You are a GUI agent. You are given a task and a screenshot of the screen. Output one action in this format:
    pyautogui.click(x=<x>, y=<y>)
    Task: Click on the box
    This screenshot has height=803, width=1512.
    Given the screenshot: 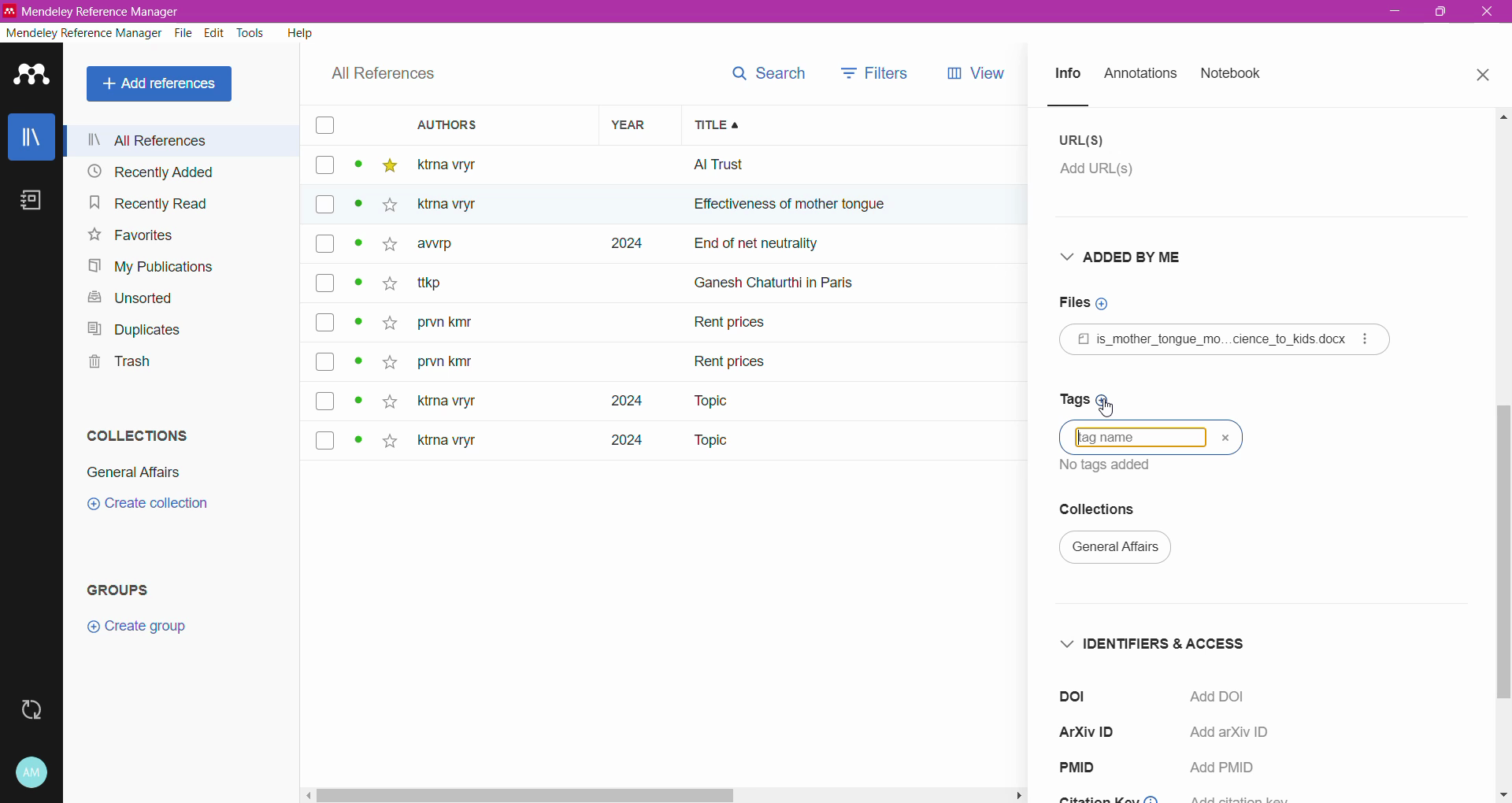 What is the action you would take?
    pyautogui.click(x=324, y=205)
    